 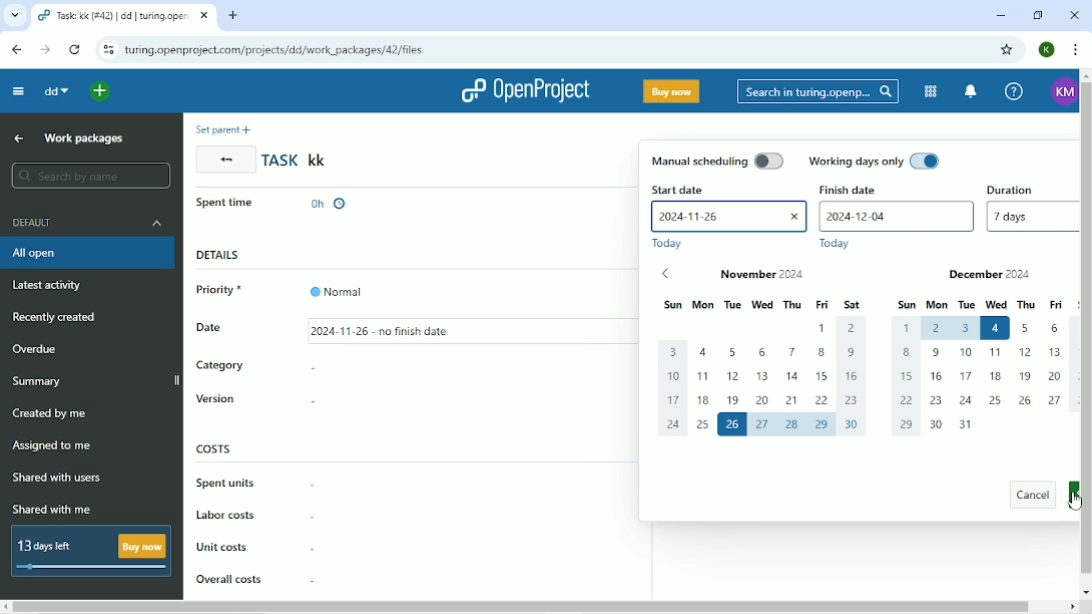 I want to click on Work packages, so click(x=85, y=139).